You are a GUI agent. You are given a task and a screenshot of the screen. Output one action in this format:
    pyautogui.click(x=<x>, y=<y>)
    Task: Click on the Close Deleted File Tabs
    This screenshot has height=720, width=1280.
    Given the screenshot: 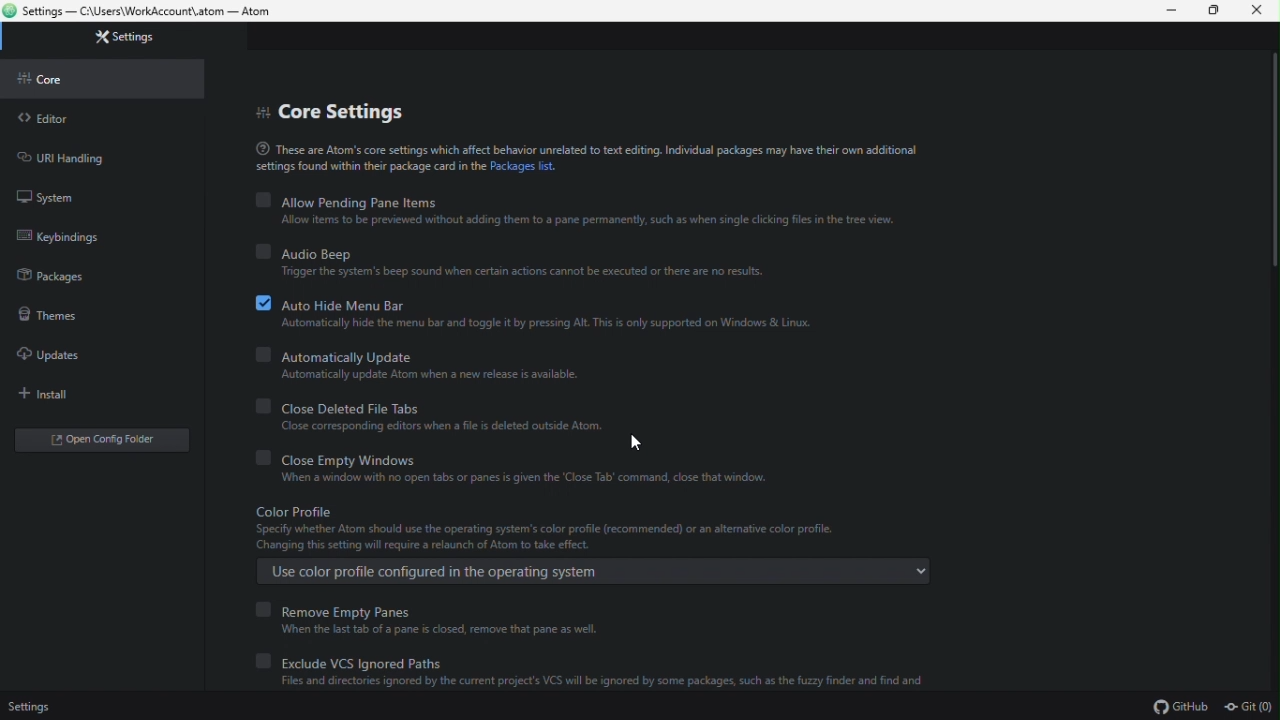 What is the action you would take?
    pyautogui.click(x=361, y=406)
    